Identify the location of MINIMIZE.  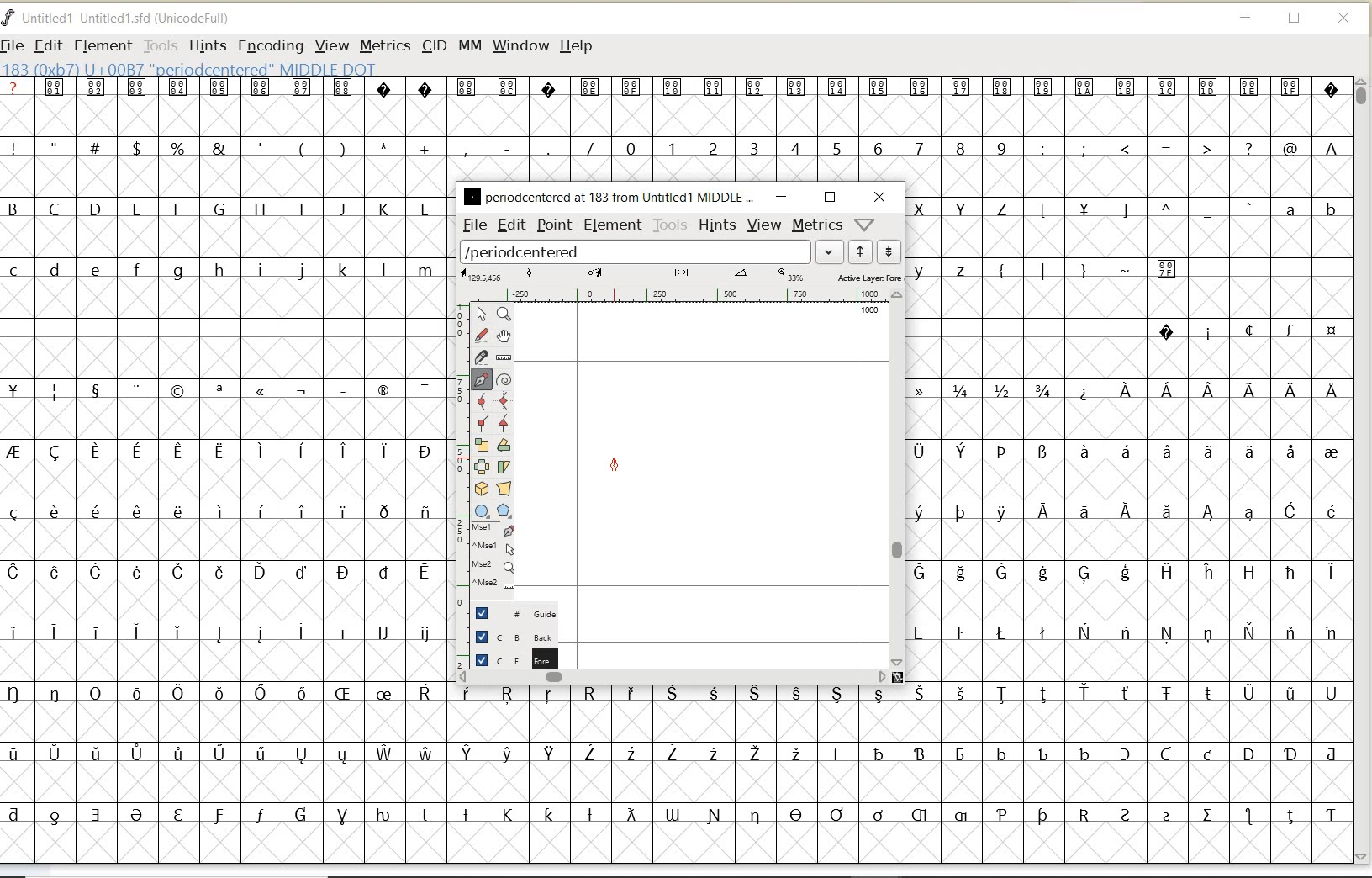
(1247, 20).